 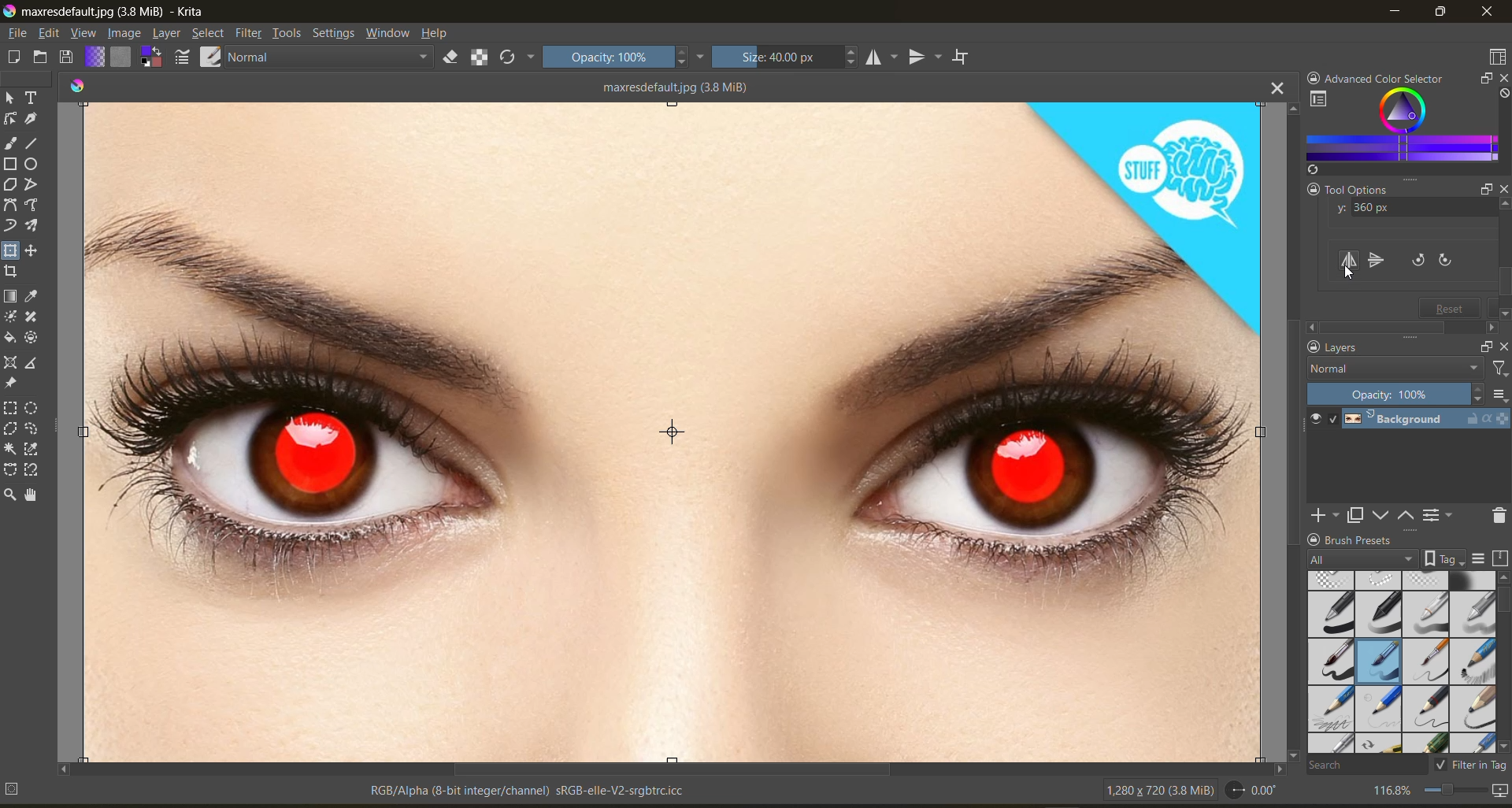 What do you see at coordinates (336, 35) in the screenshot?
I see `settings` at bounding box center [336, 35].